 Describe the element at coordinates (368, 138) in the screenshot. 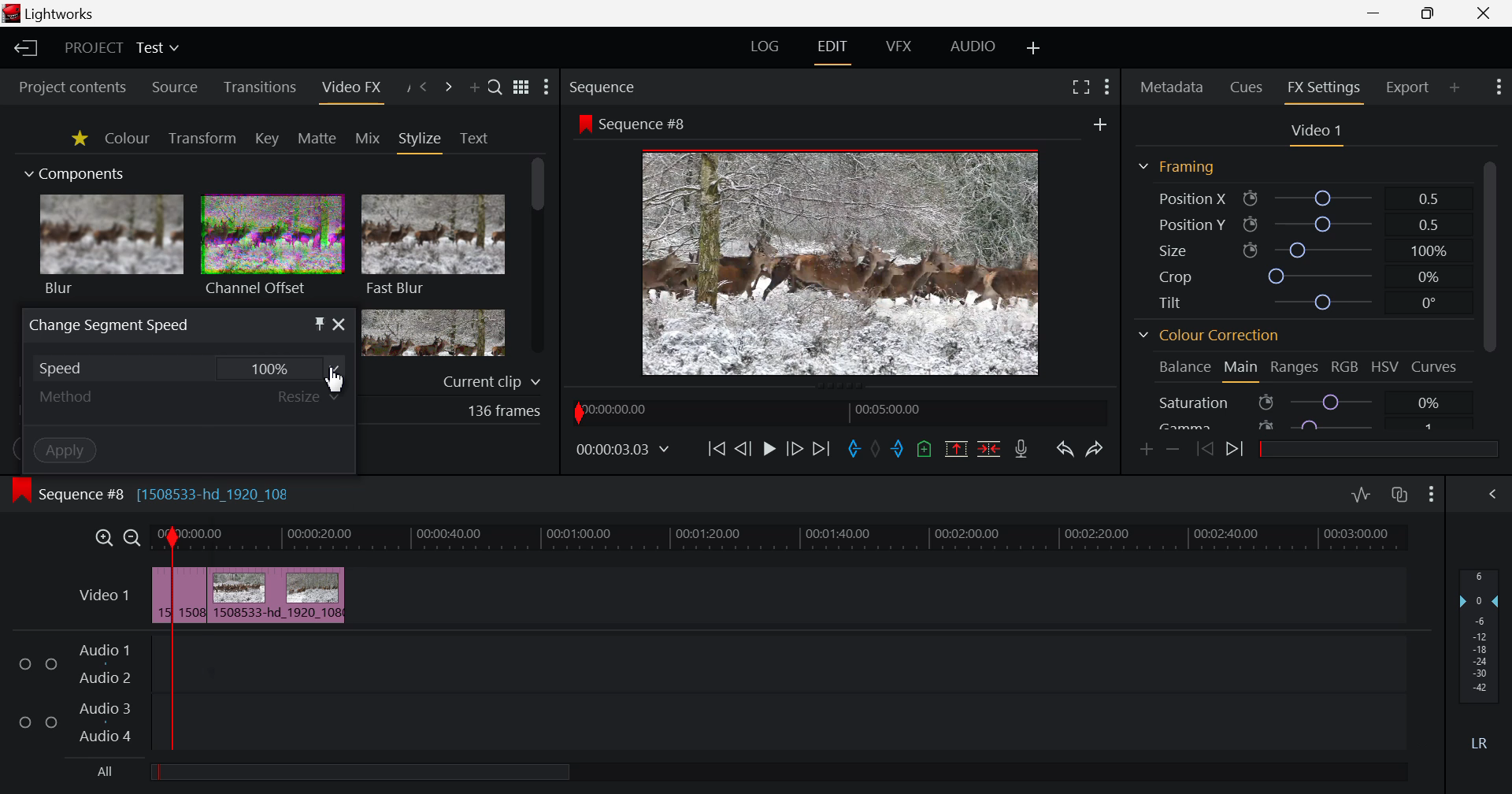

I see `Mix` at that location.